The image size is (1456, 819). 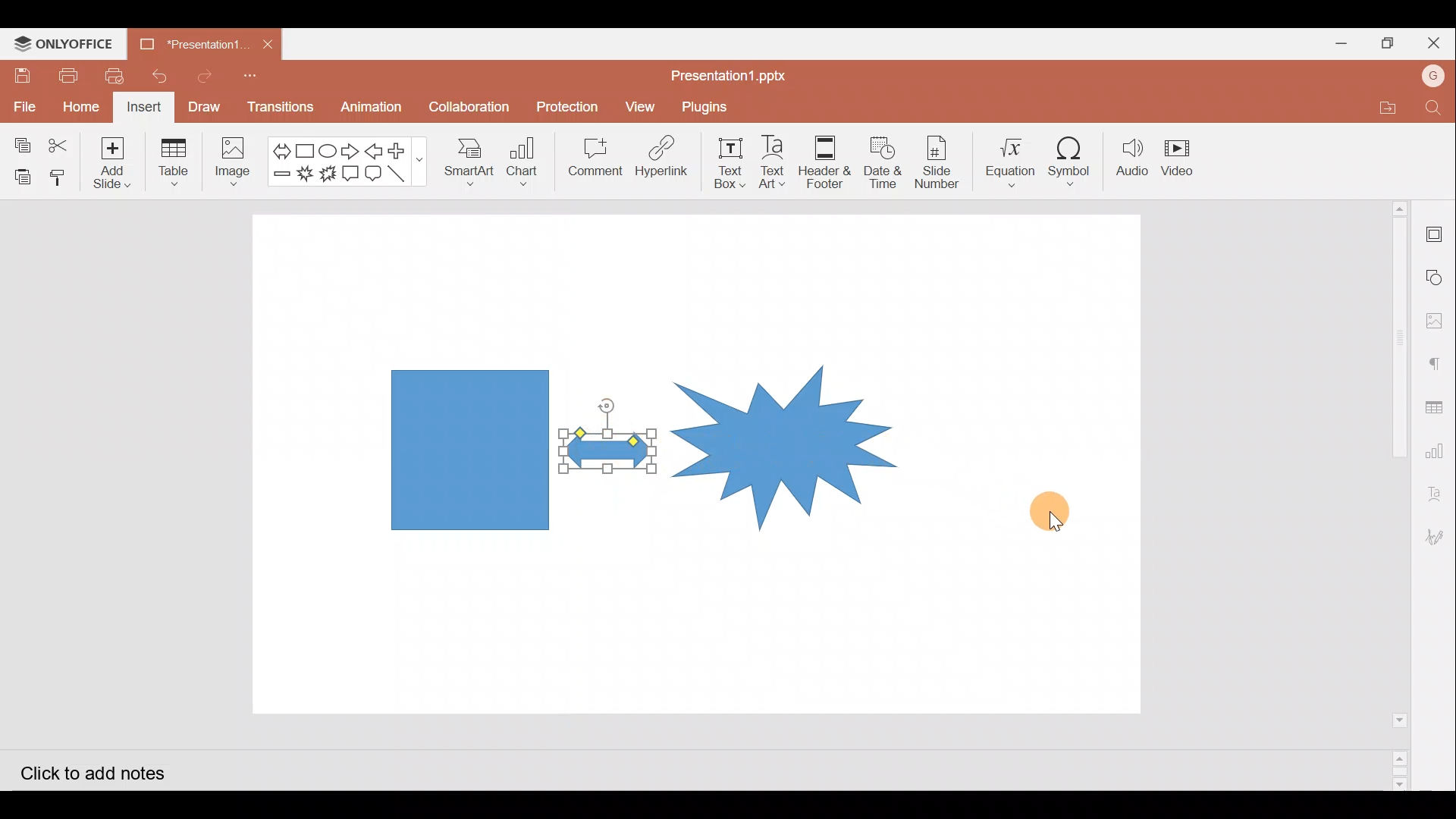 What do you see at coordinates (172, 165) in the screenshot?
I see `Table` at bounding box center [172, 165].